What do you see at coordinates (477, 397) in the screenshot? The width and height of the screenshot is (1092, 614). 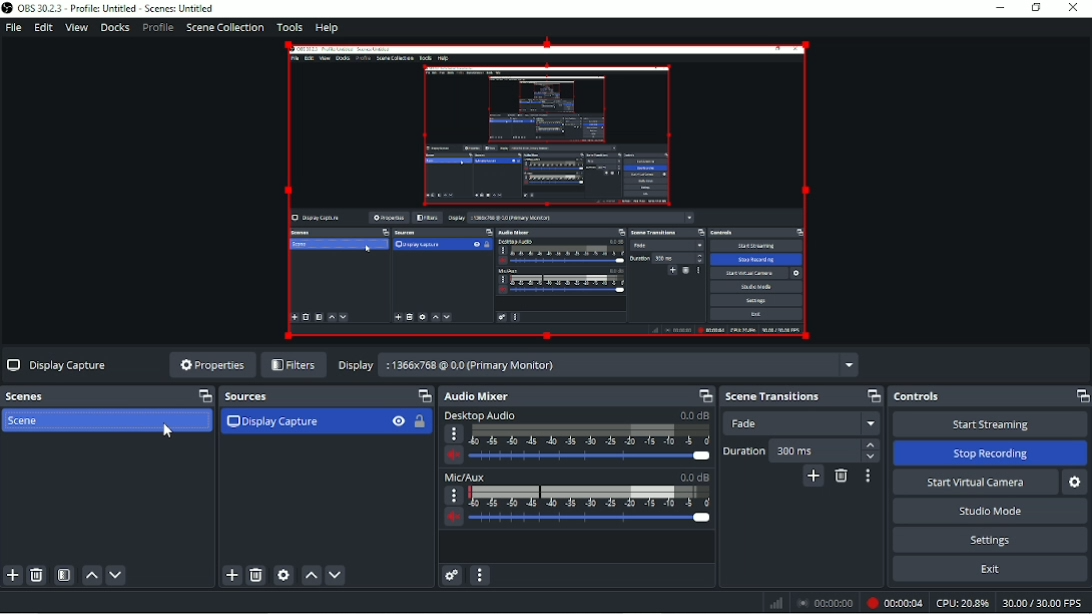 I see `Audio Mixer` at bounding box center [477, 397].